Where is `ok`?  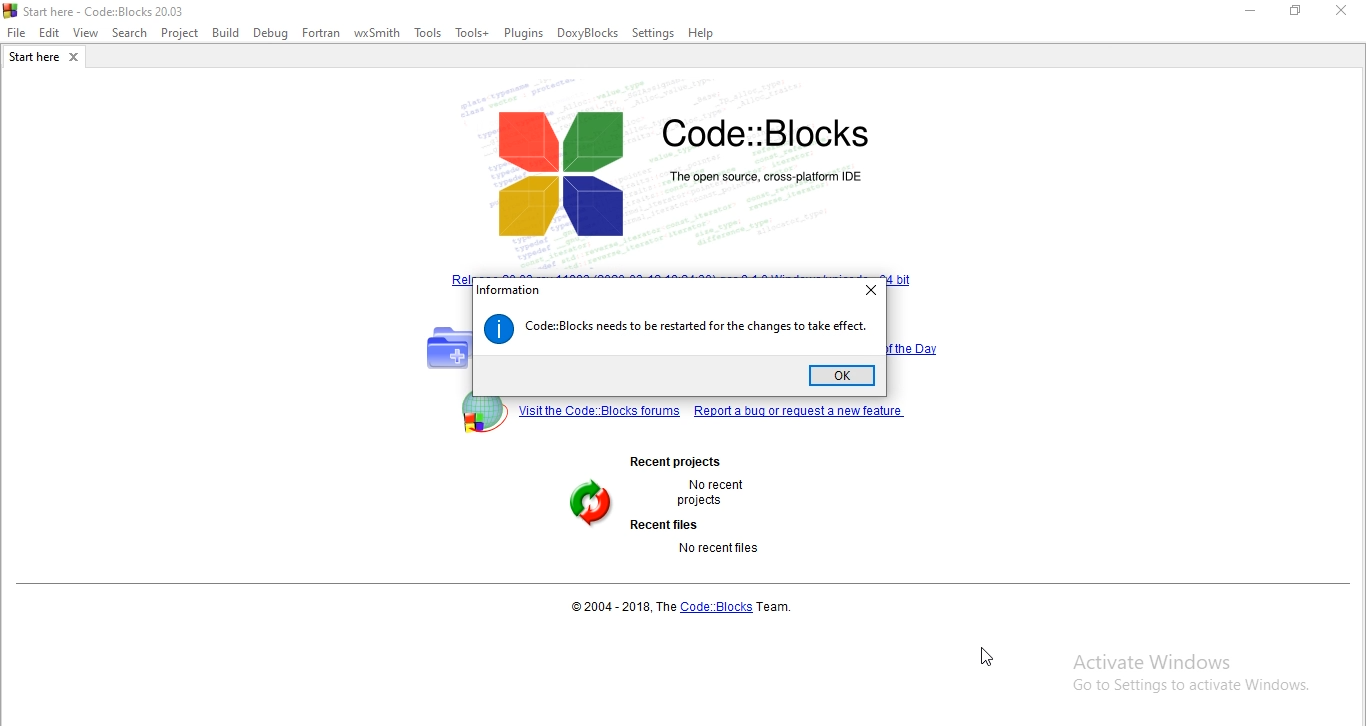 ok is located at coordinates (847, 377).